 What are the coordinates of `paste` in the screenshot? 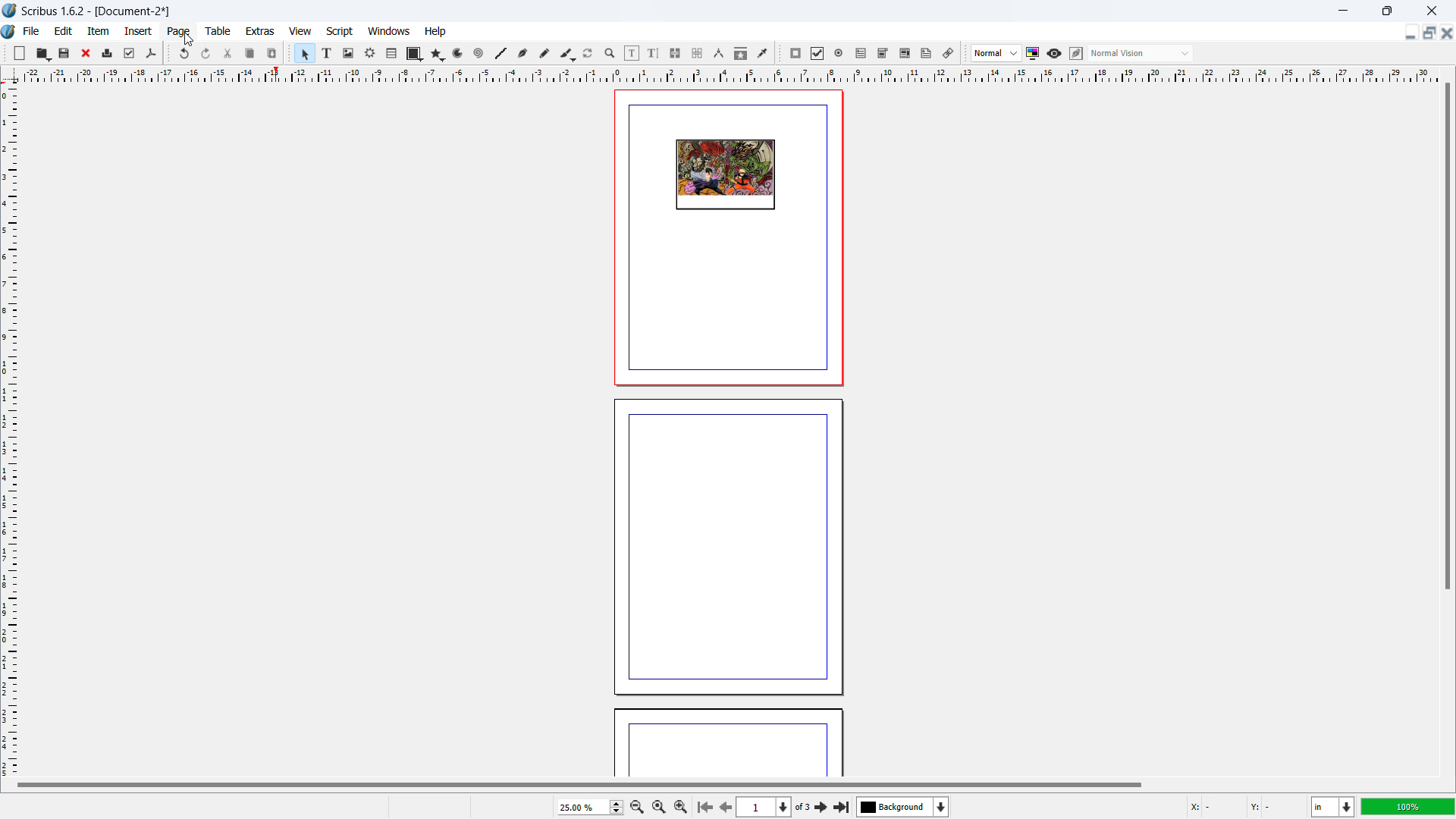 It's located at (272, 53).